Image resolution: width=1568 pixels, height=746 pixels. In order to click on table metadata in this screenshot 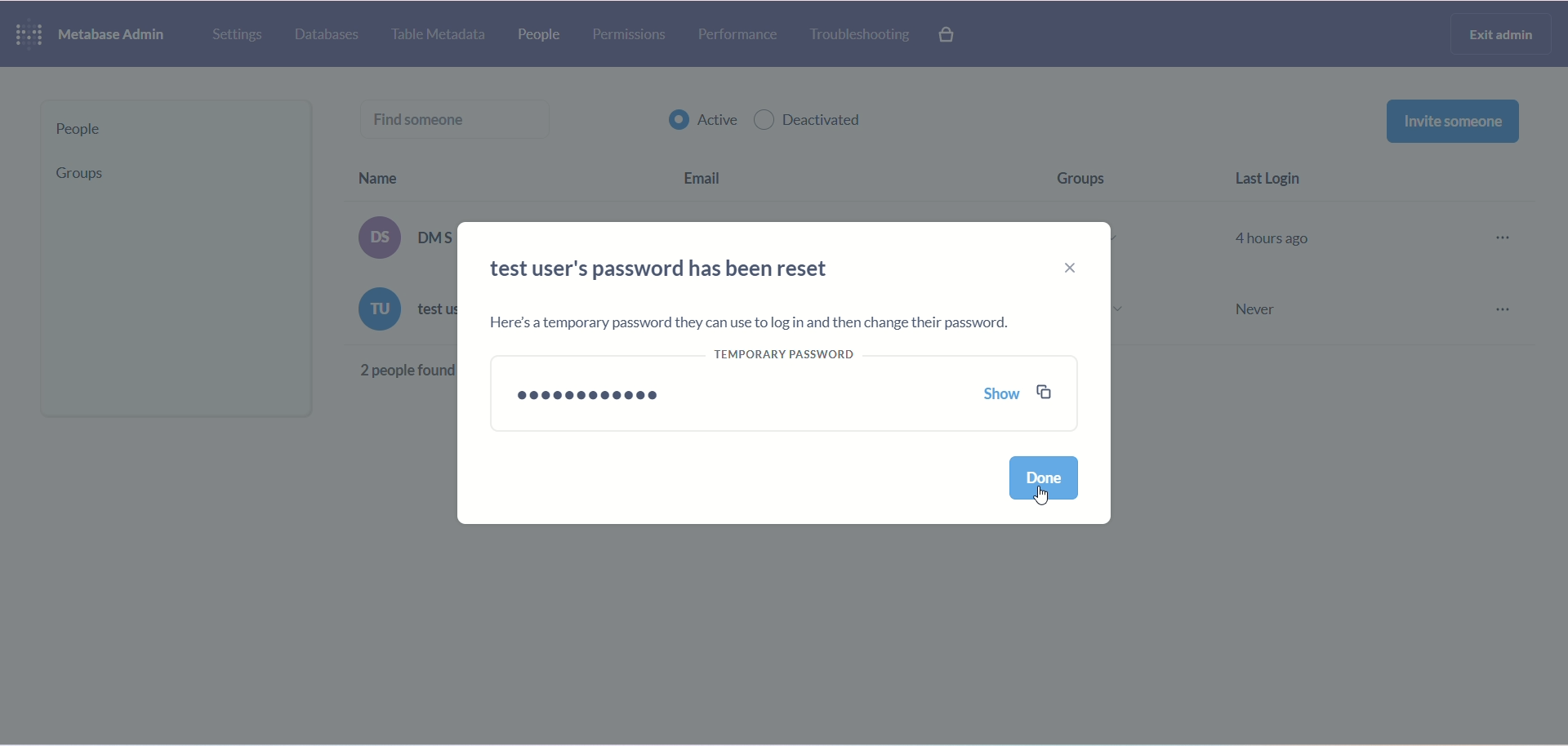, I will do `click(442, 35)`.